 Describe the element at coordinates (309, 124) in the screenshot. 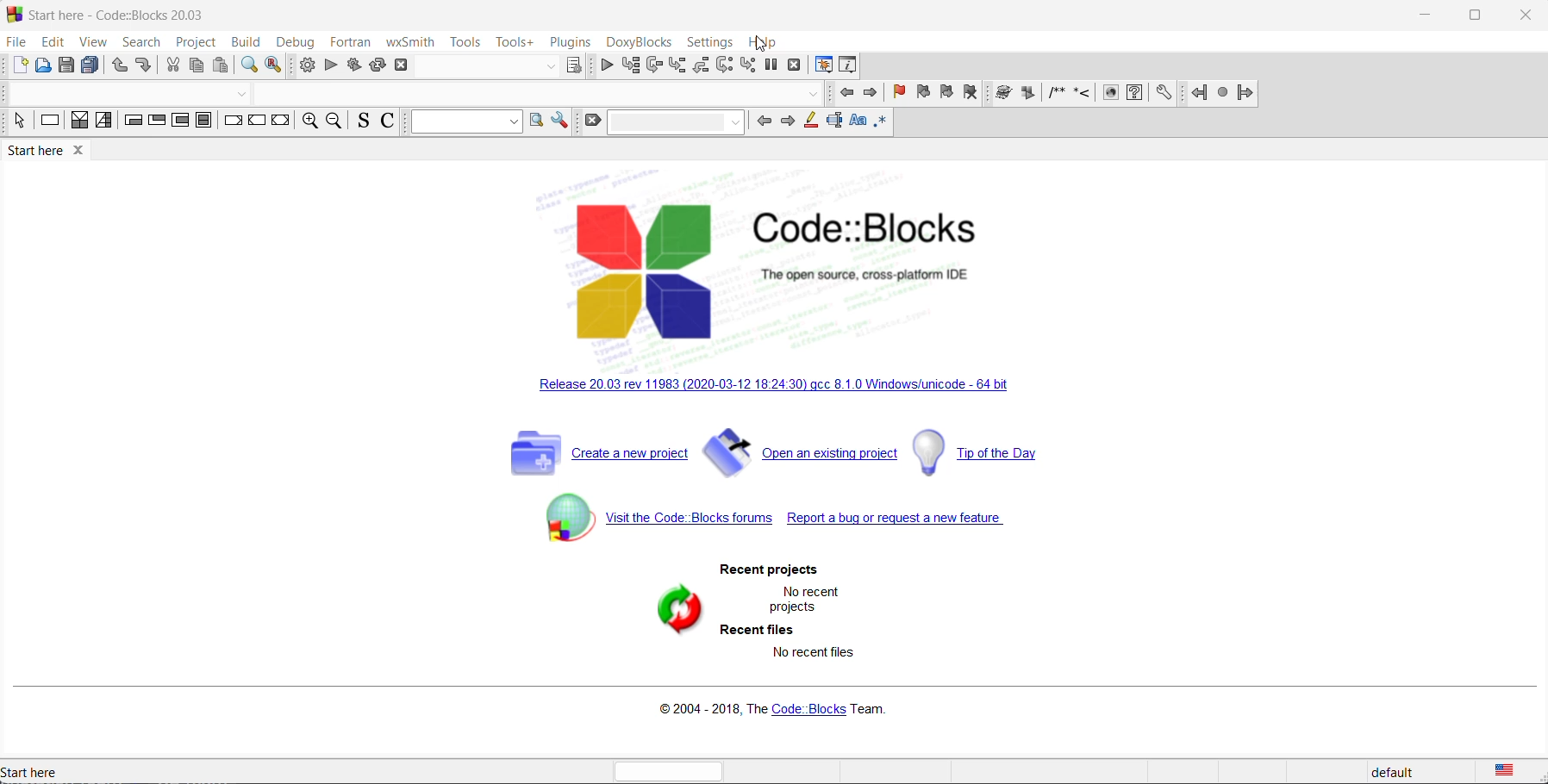

I see `zoom in` at that location.